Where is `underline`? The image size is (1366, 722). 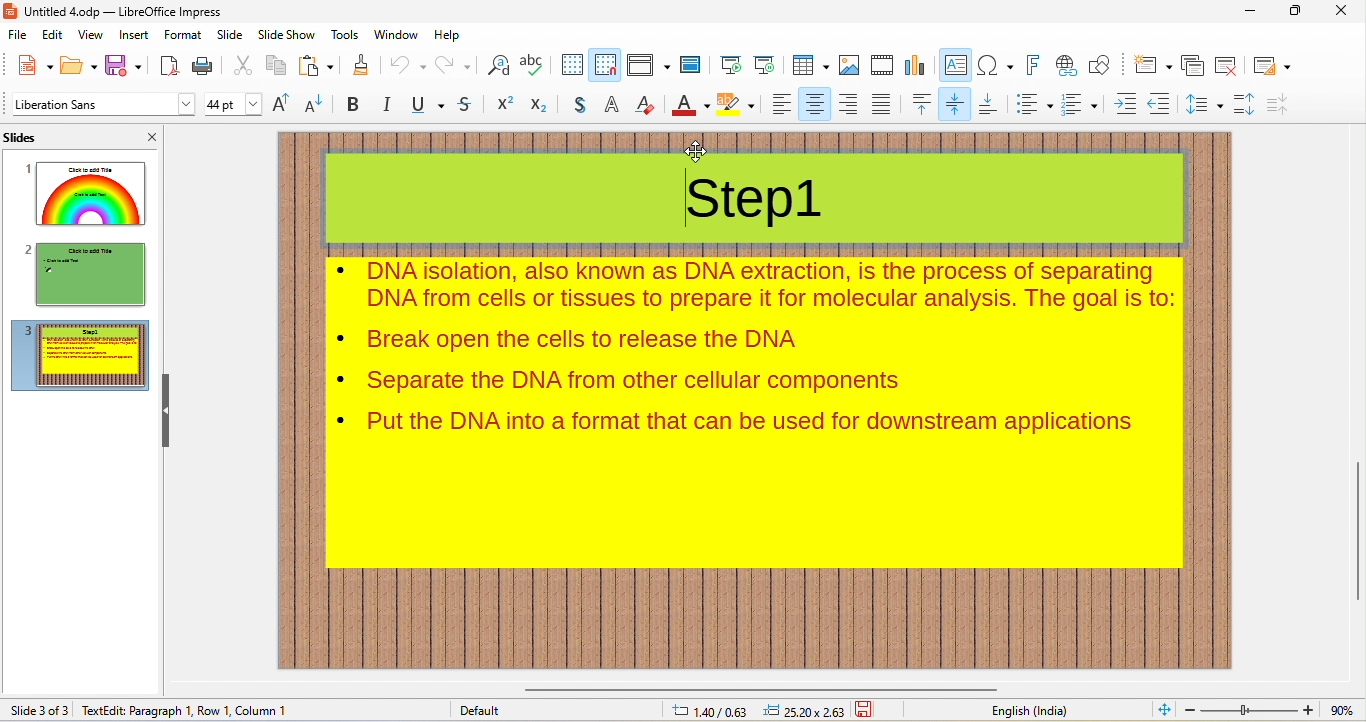 underline is located at coordinates (428, 104).